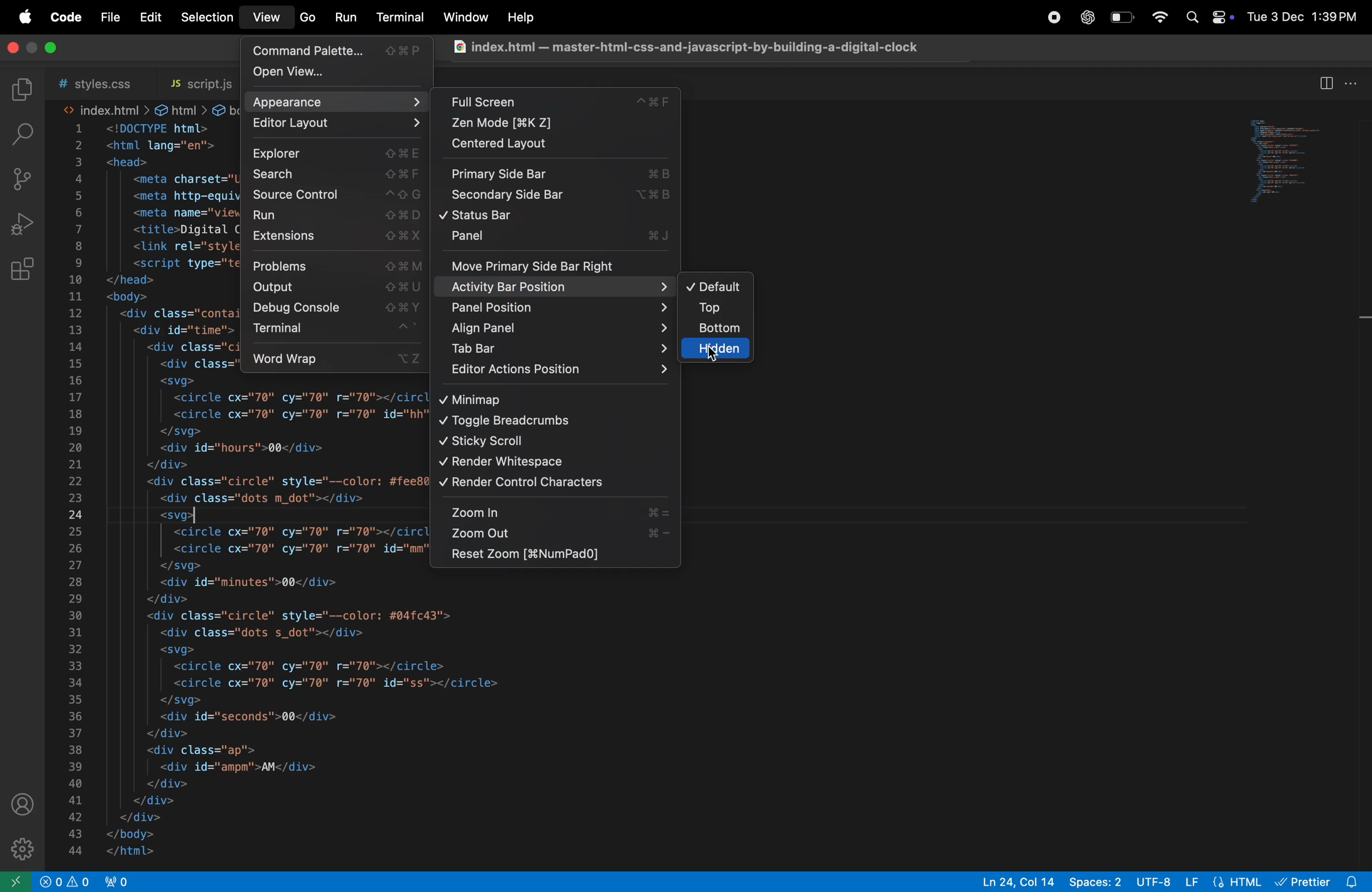  What do you see at coordinates (559, 266) in the screenshot?
I see `move primary side bar` at bounding box center [559, 266].